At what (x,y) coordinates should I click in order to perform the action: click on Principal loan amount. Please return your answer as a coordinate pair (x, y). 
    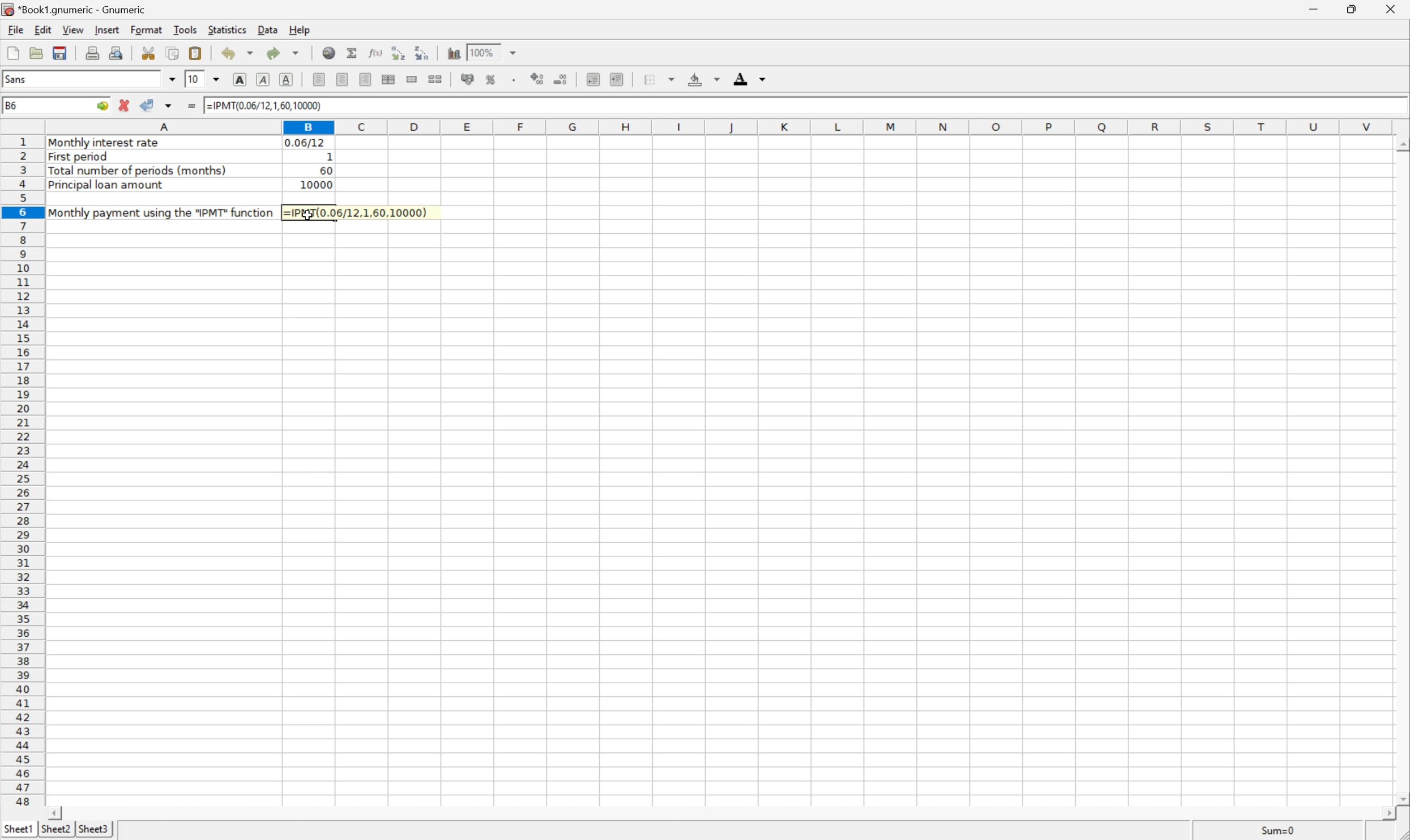
    Looking at the image, I should click on (107, 186).